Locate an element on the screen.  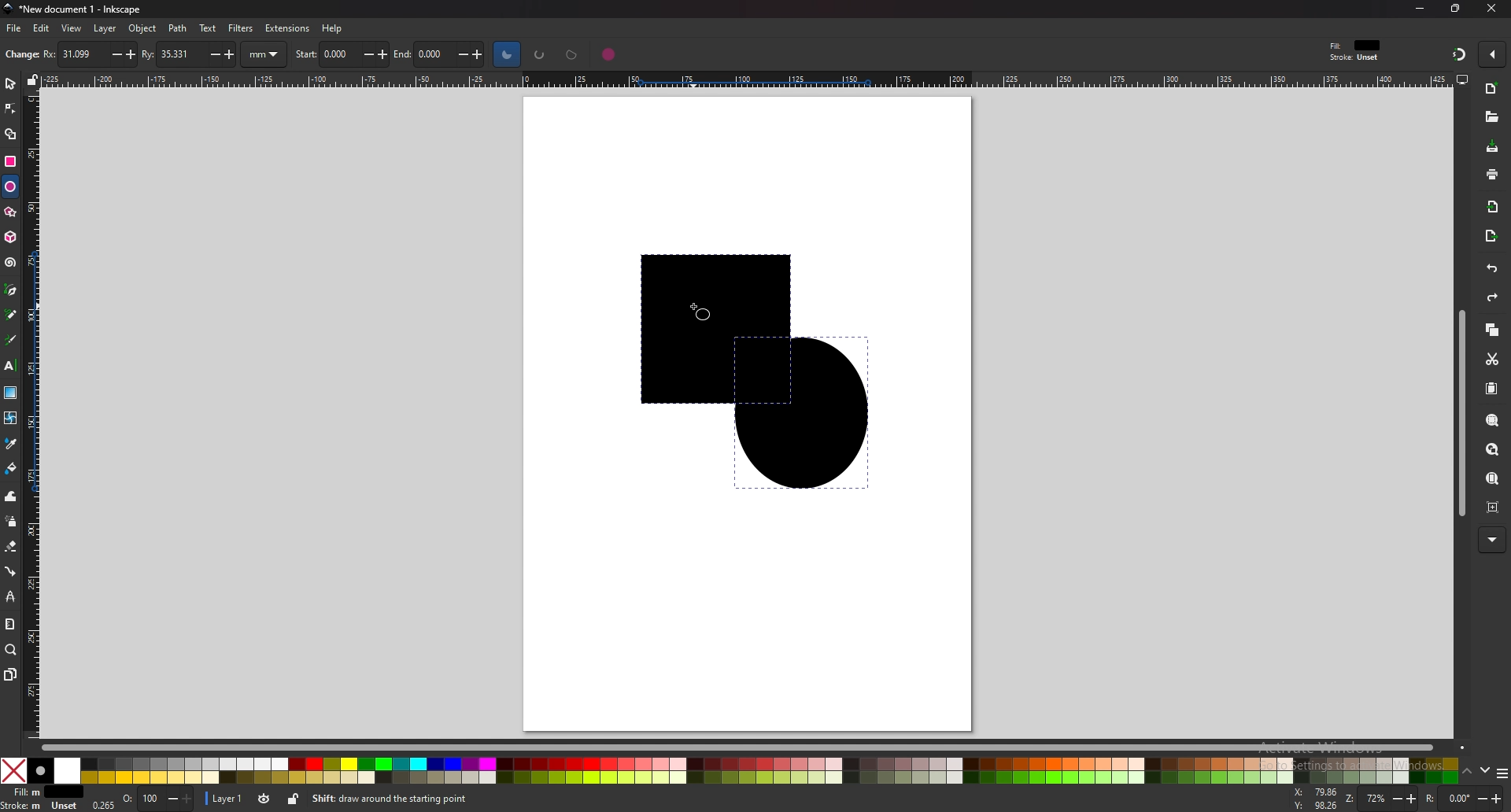
toggle lock is located at coordinates (291, 799).